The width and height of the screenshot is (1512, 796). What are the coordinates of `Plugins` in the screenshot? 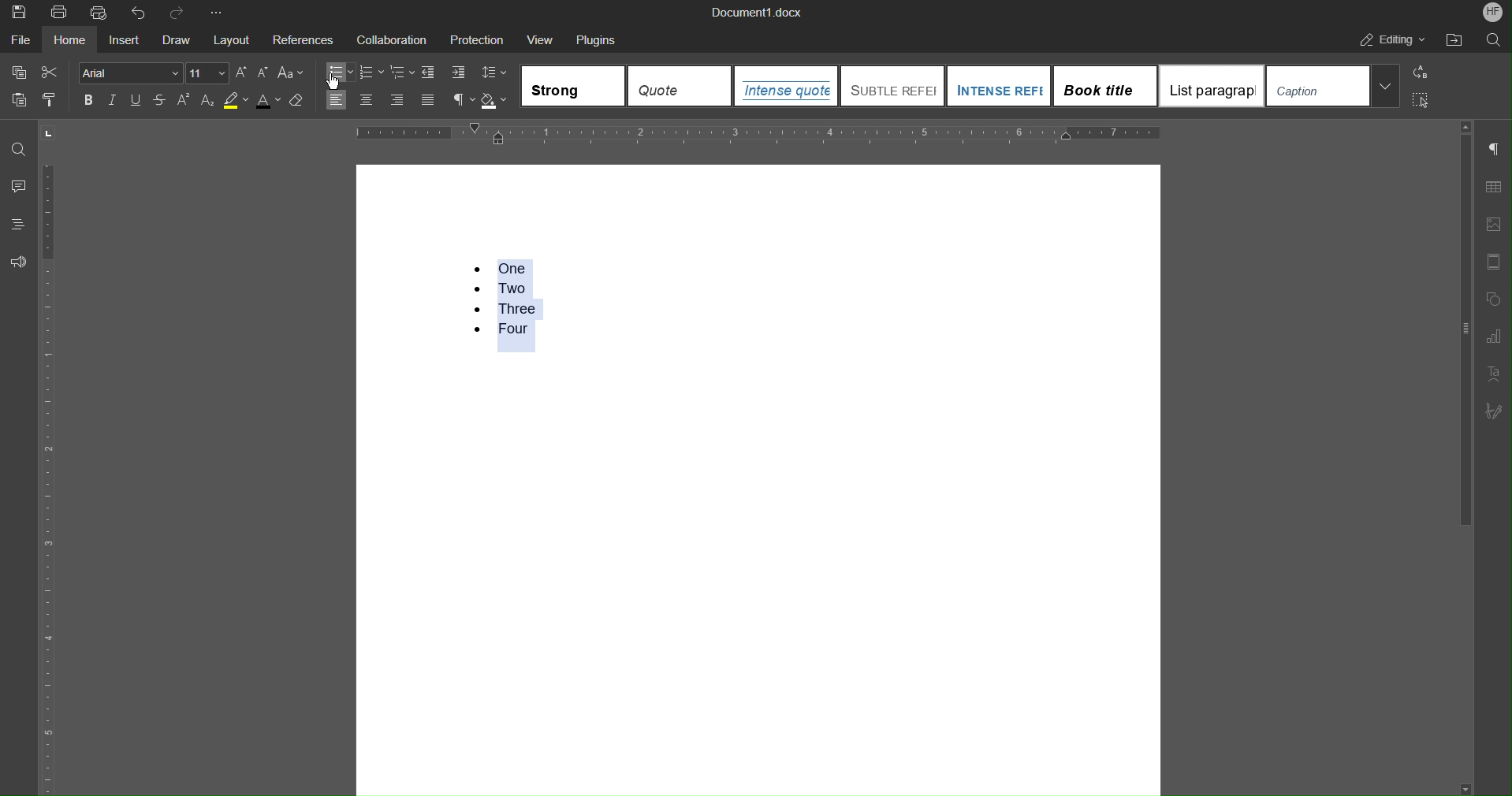 It's located at (598, 38).